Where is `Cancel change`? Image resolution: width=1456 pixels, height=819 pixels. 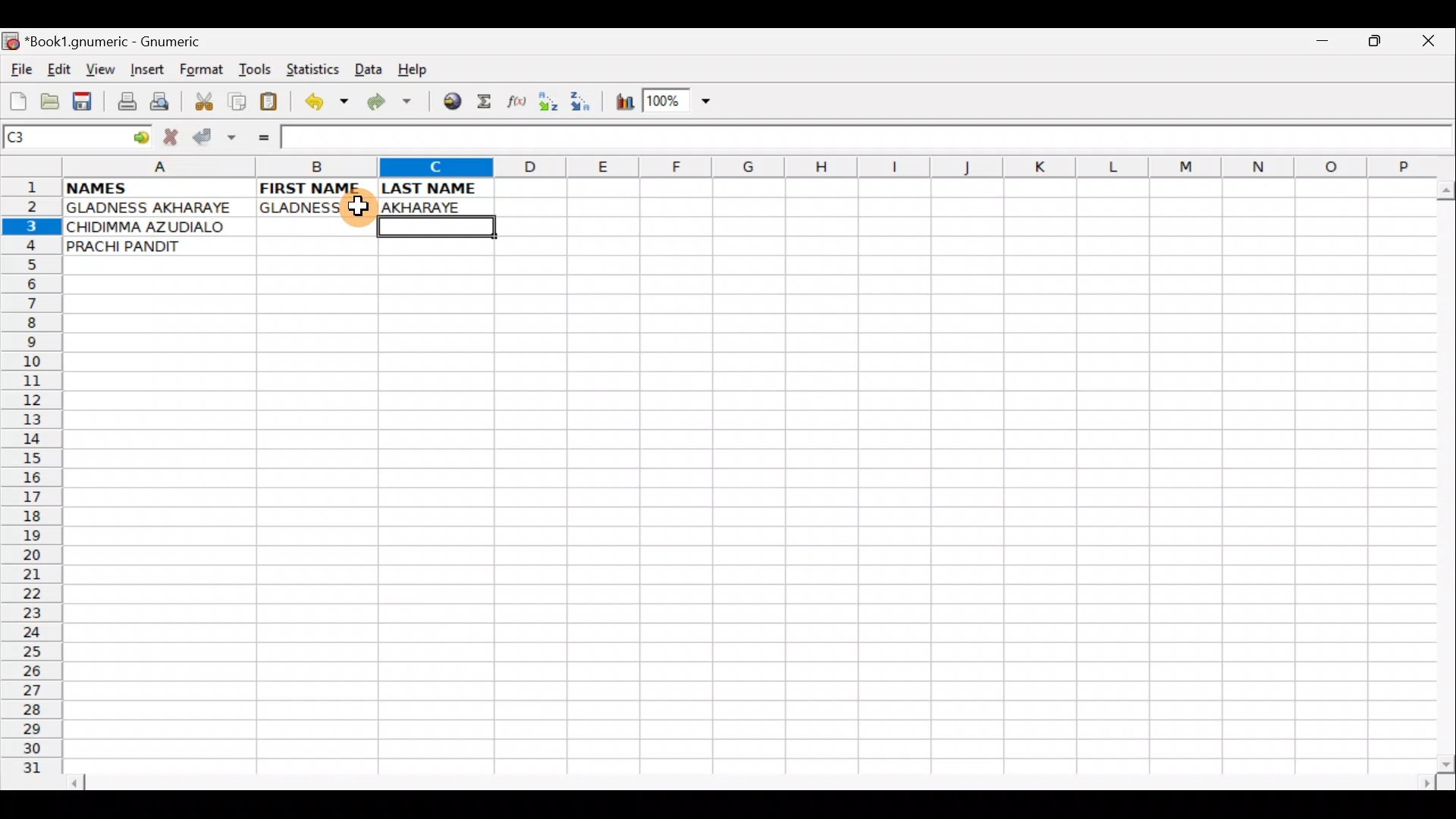
Cancel change is located at coordinates (174, 134).